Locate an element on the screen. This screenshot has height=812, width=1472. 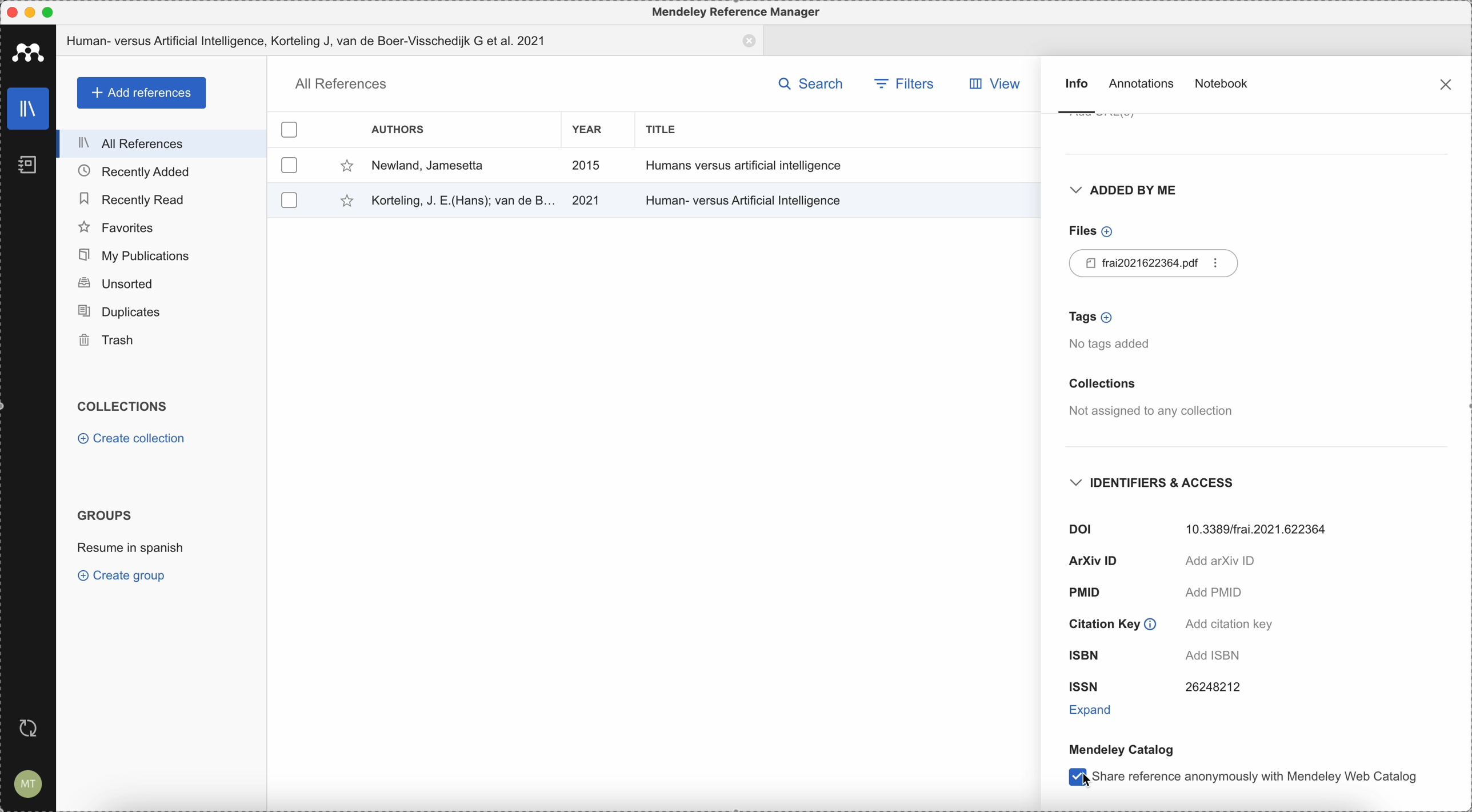
notebooks is located at coordinates (23, 162).